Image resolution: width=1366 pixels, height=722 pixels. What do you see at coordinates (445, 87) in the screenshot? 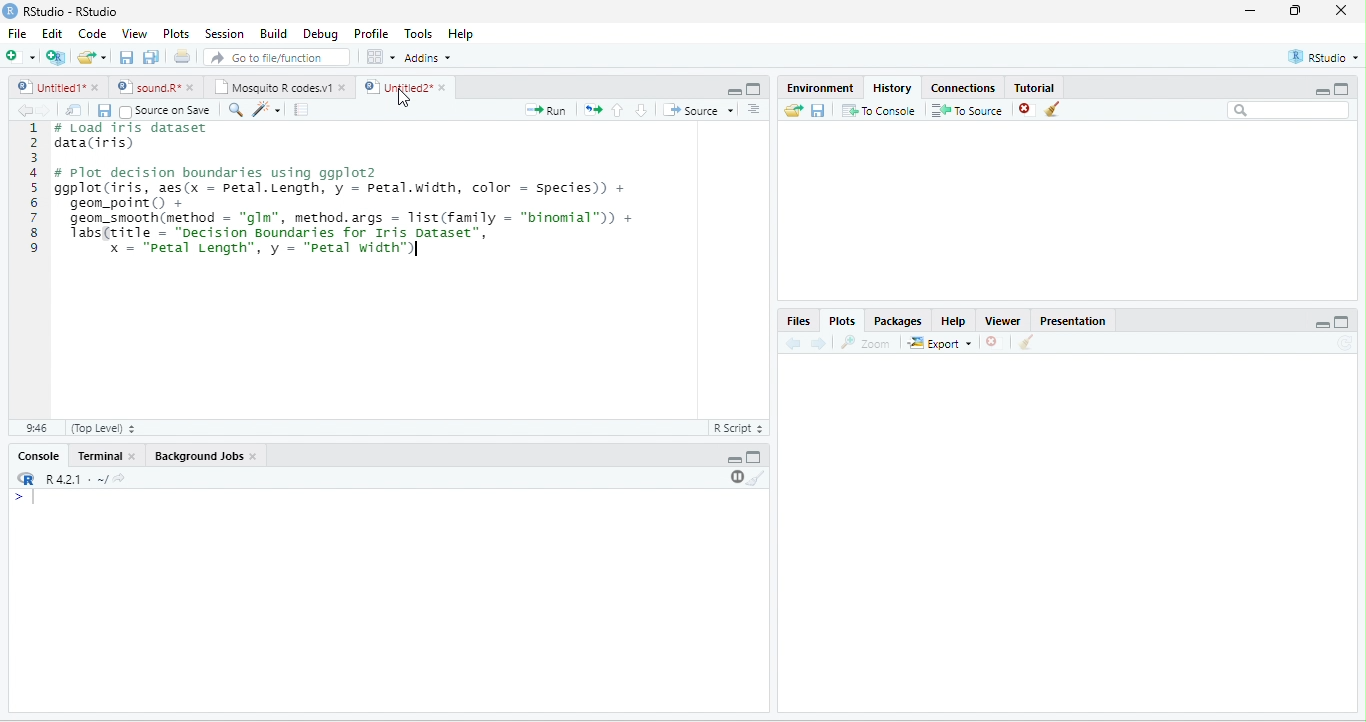
I see `close` at bounding box center [445, 87].